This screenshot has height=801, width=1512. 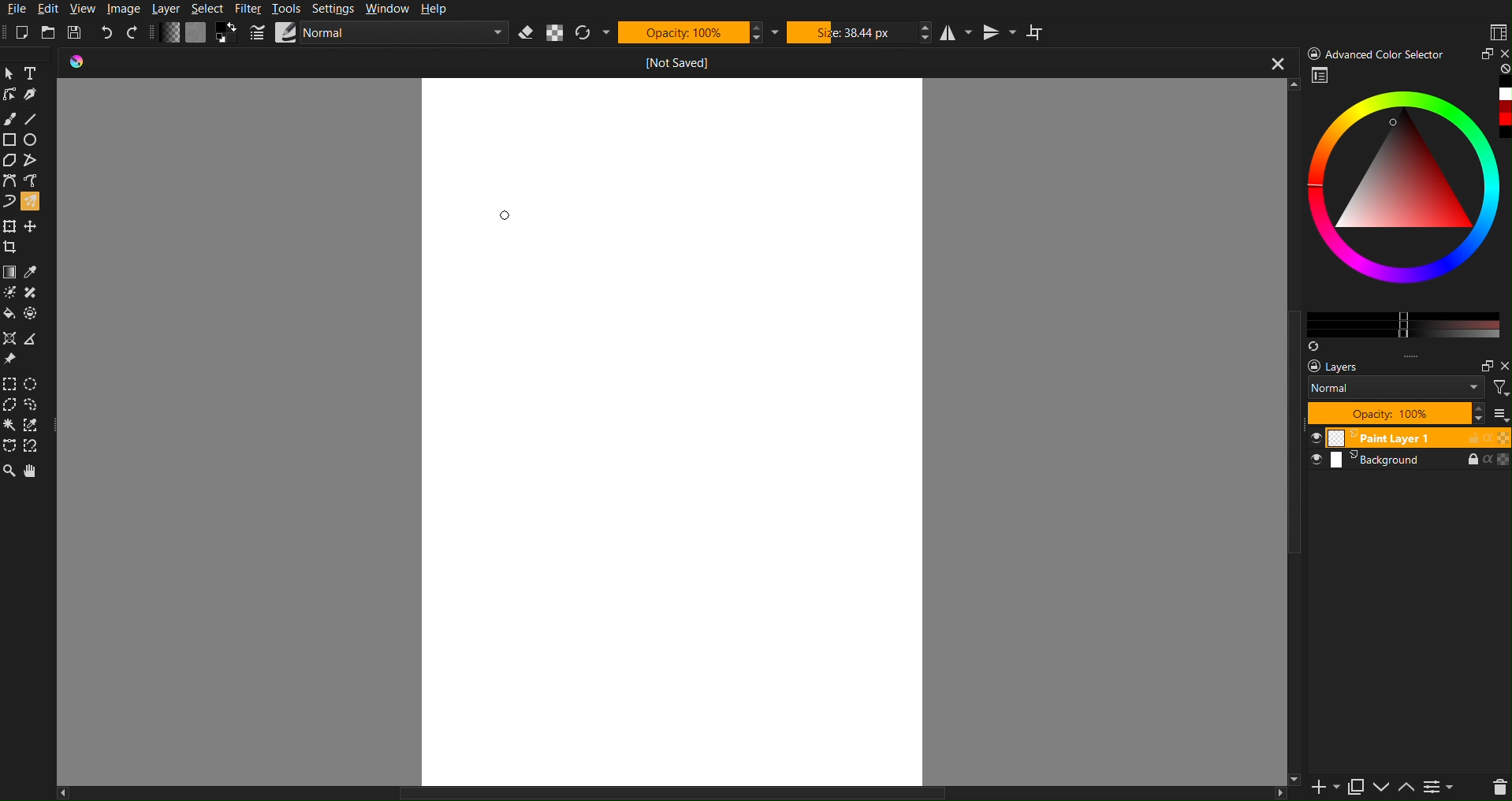 What do you see at coordinates (1412, 464) in the screenshot?
I see `background` at bounding box center [1412, 464].